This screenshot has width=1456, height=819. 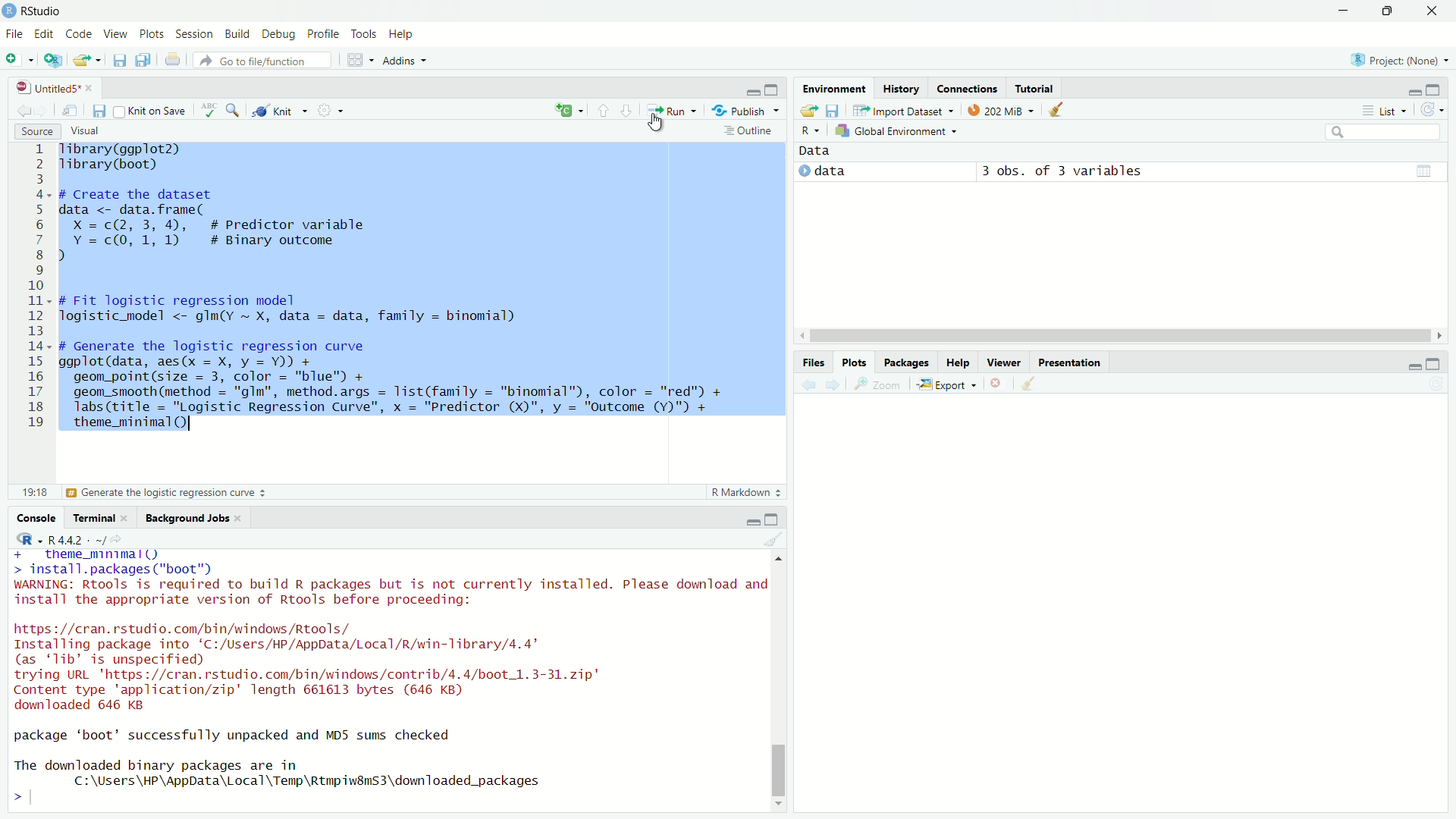 I want to click on RStudio, so click(x=32, y=11).